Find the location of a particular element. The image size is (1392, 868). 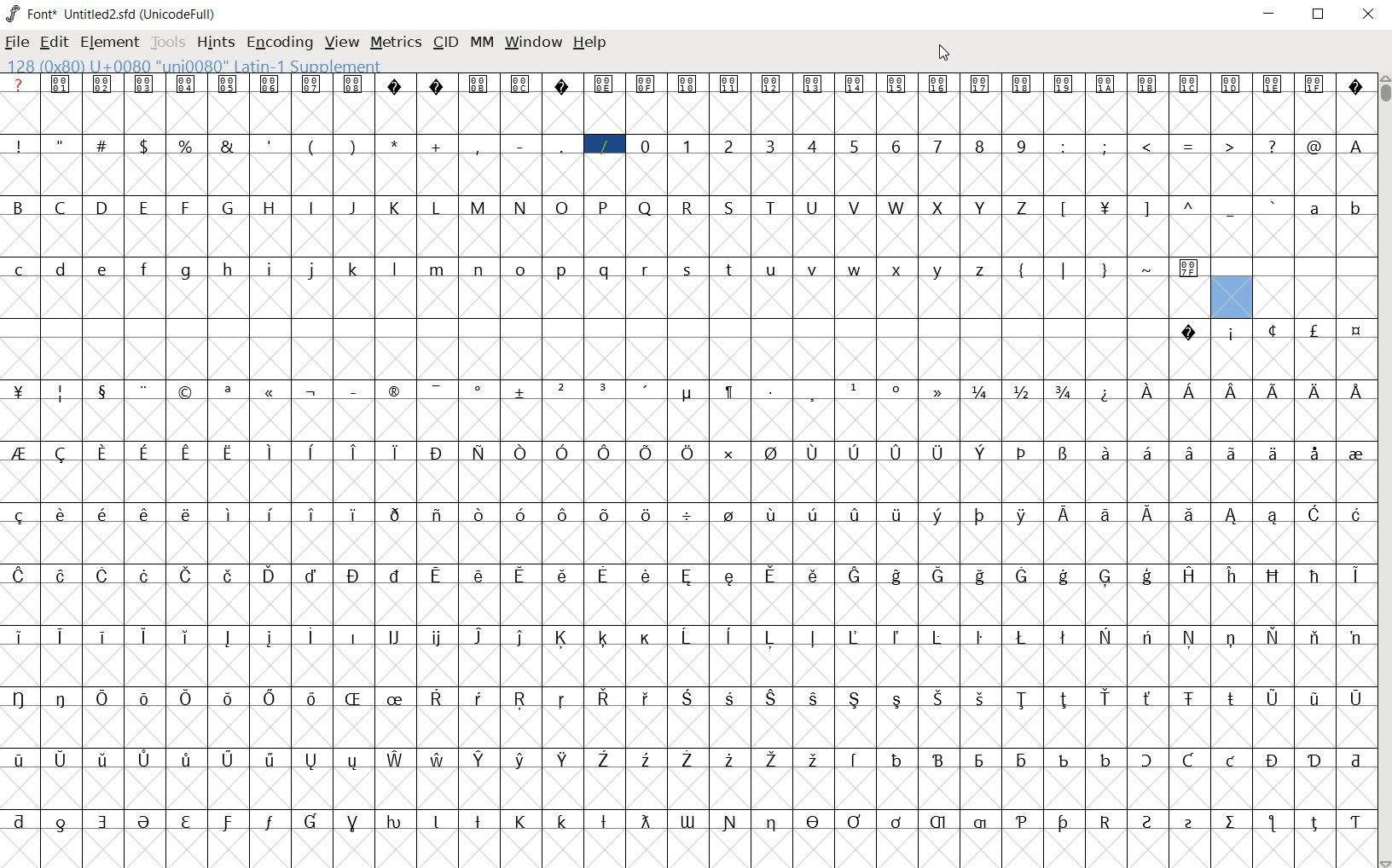

glyph is located at coordinates (481, 576).